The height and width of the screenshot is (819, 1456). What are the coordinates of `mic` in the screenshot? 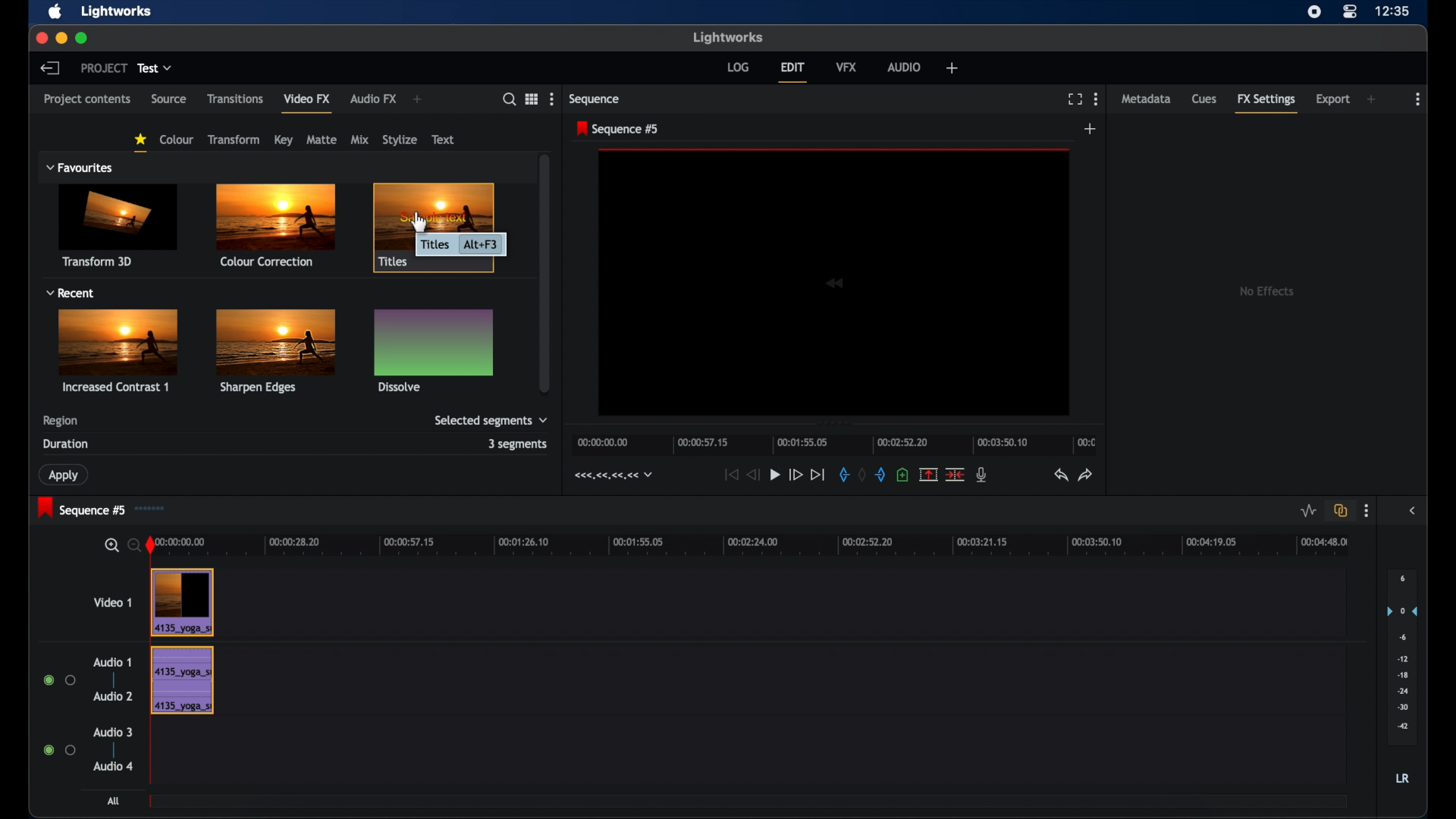 It's located at (983, 475).